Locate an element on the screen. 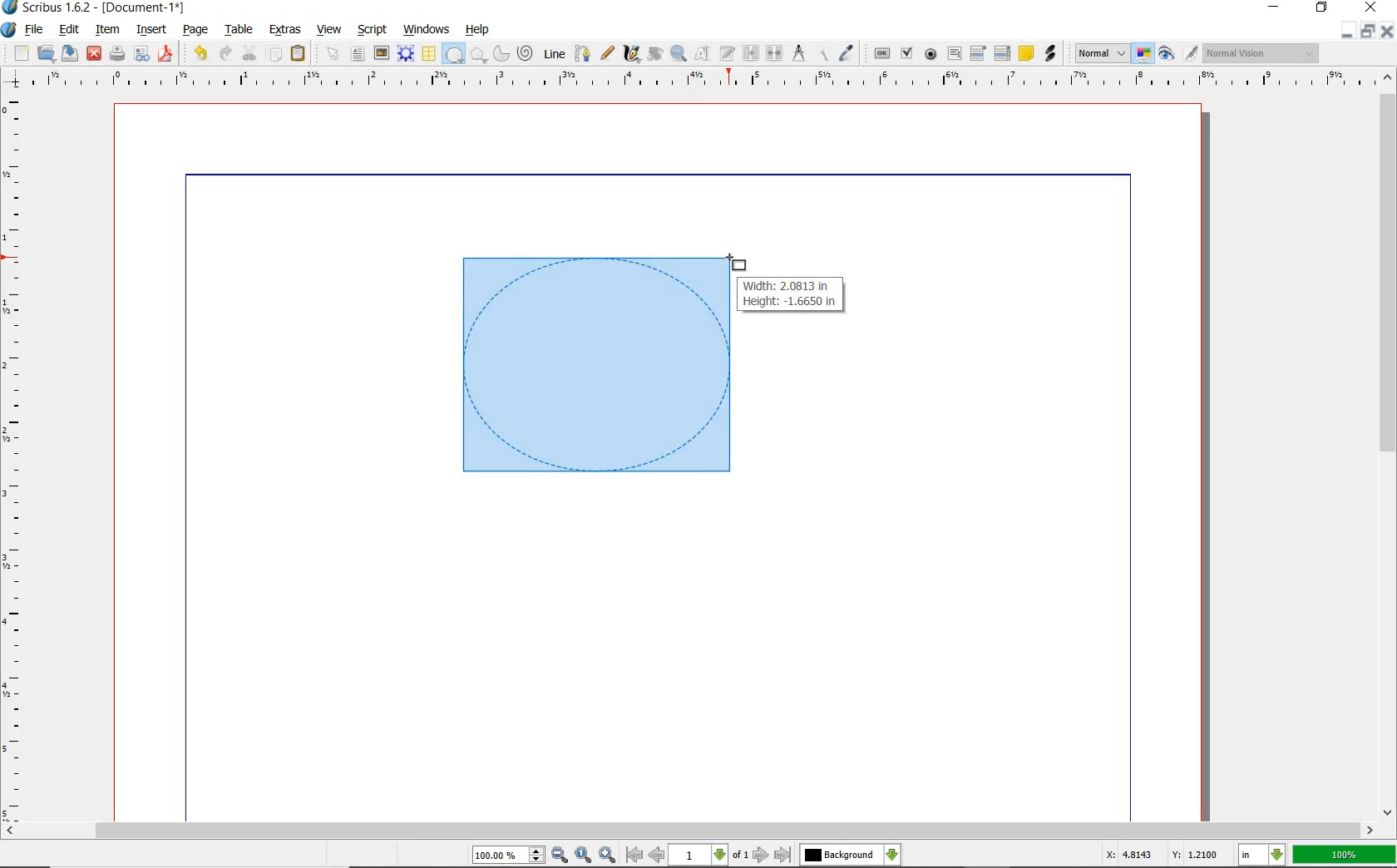  ZOOM IN OR OUT is located at coordinates (678, 54).